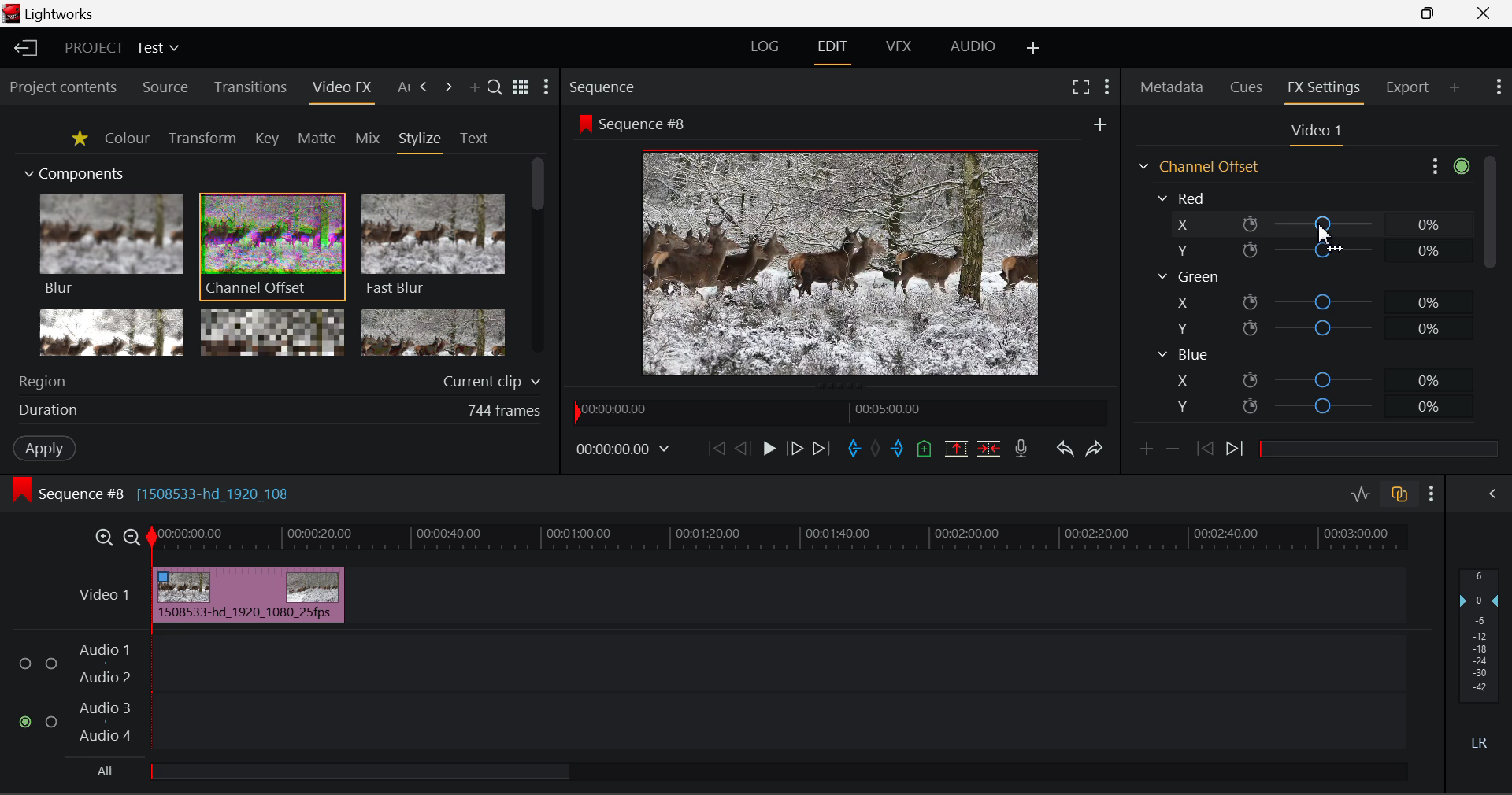 This screenshot has height=795, width=1512. What do you see at coordinates (1314, 379) in the screenshot?
I see `Blue X` at bounding box center [1314, 379].